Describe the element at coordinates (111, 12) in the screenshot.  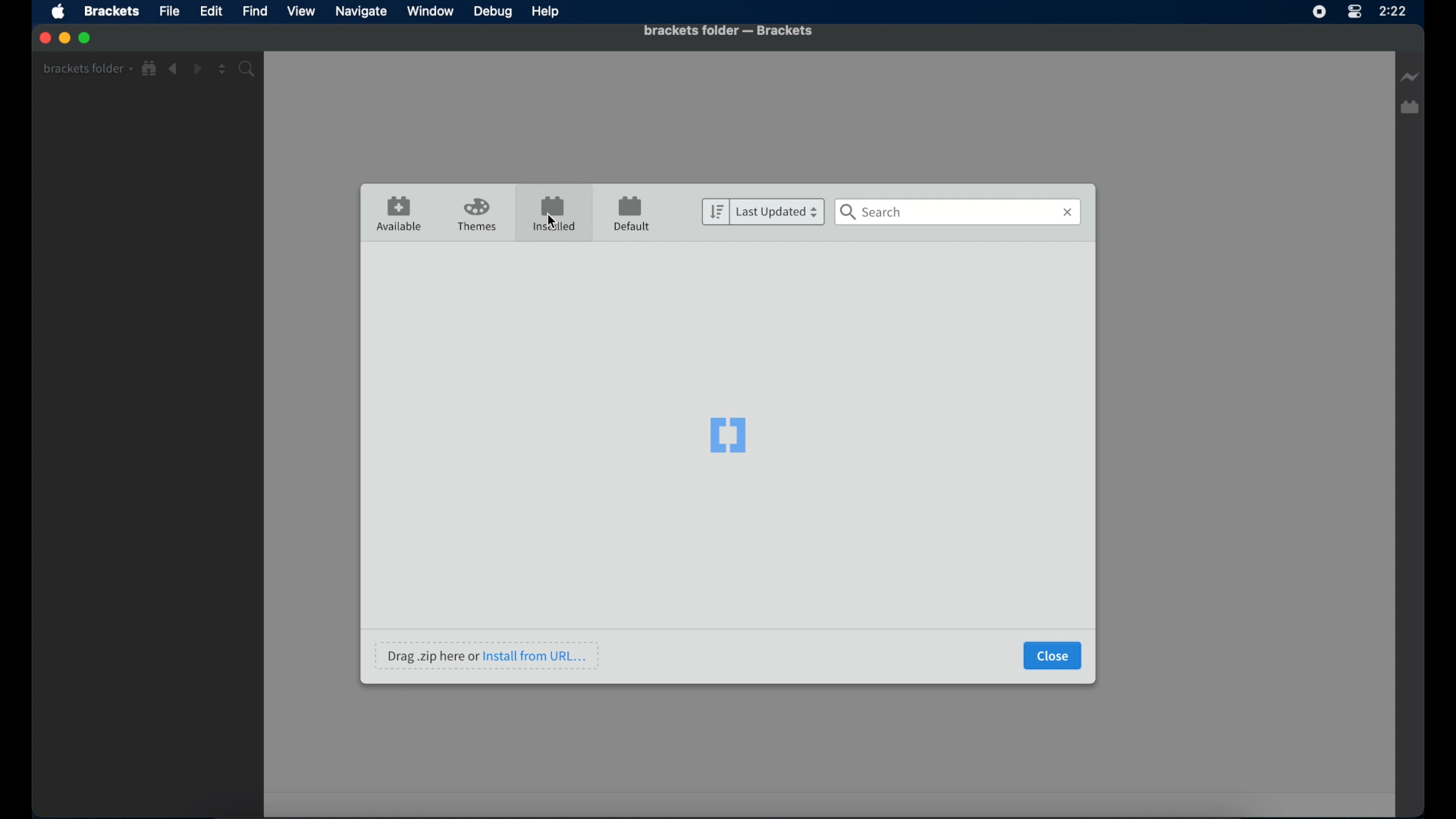
I see `brackets` at that location.